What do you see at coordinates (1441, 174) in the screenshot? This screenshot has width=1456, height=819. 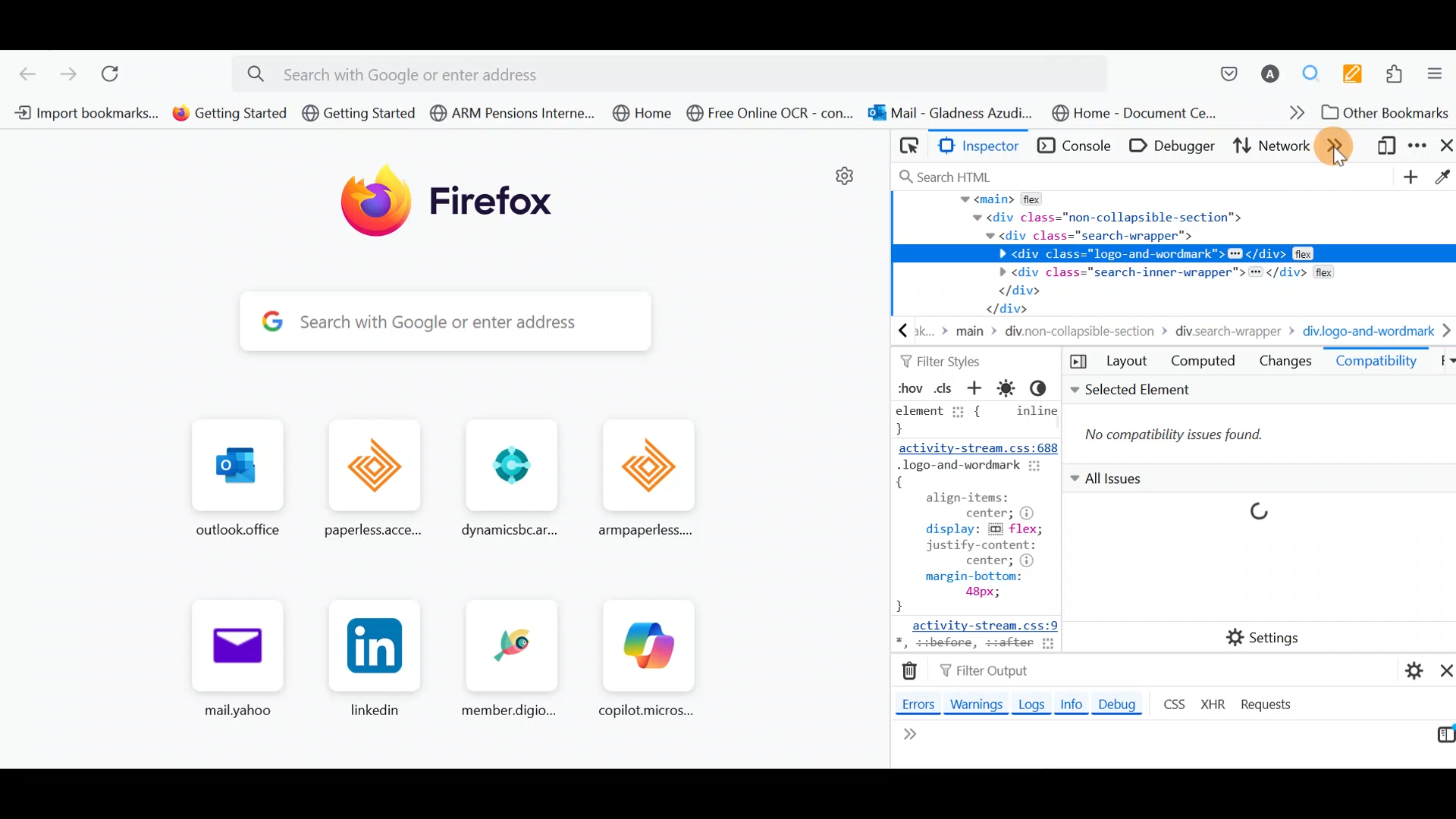 I see `Grab a colour from the page` at bounding box center [1441, 174].